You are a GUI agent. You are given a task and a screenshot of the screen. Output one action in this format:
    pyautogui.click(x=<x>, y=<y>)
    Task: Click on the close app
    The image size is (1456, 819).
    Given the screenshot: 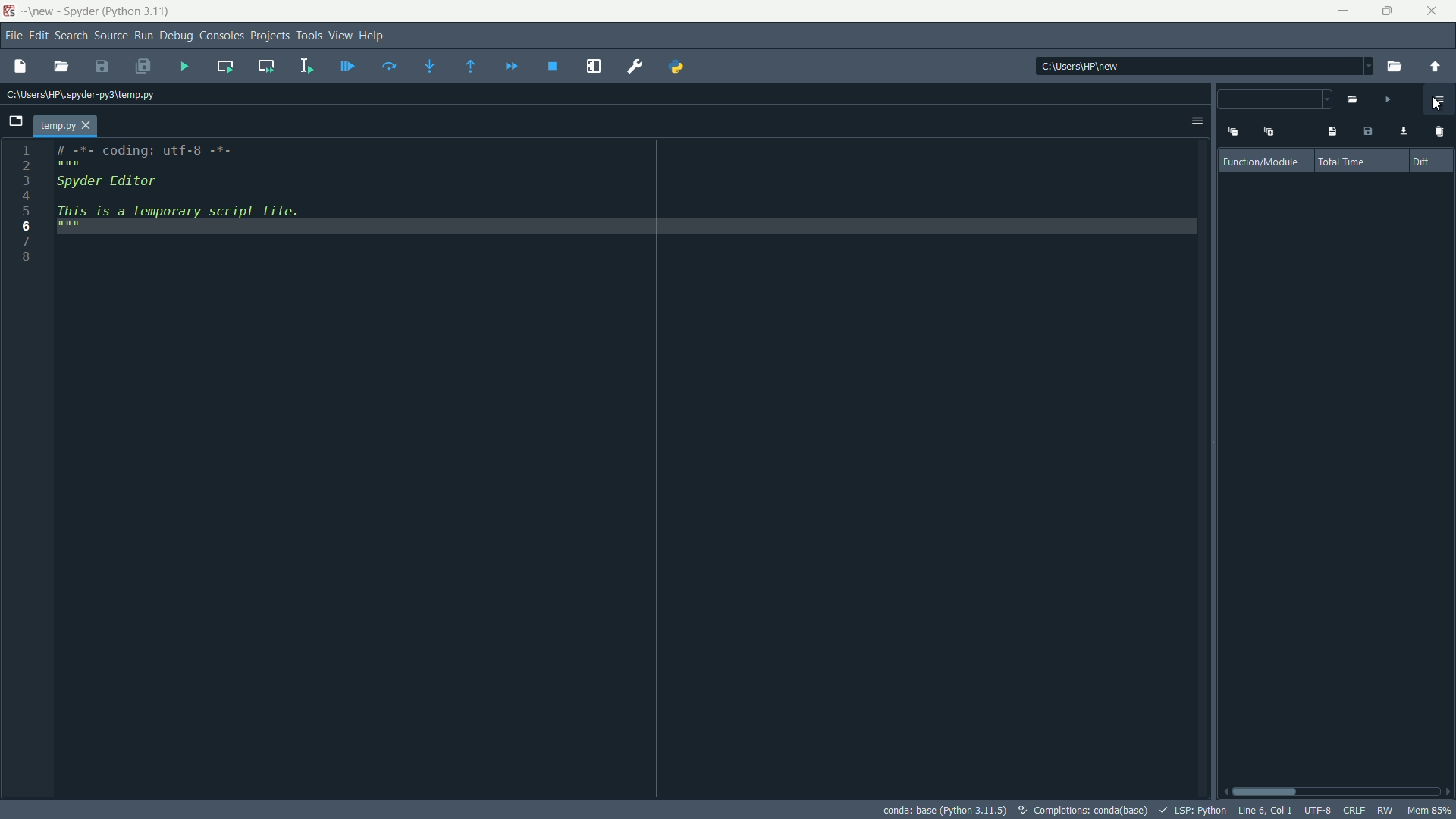 What is the action you would take?
    pyautogui.click(x=1433, y=11)
    